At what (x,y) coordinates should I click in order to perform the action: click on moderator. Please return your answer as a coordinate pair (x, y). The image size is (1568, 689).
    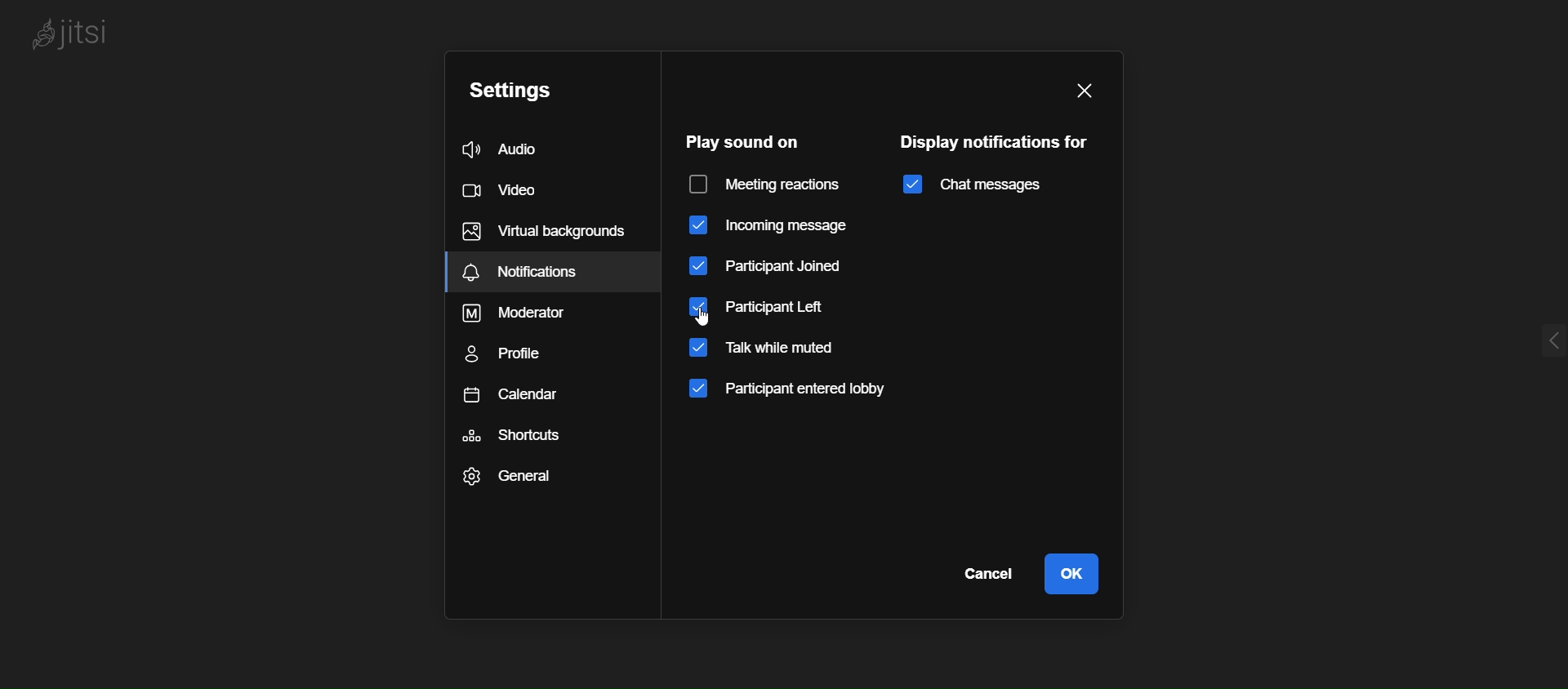
    Looking at the image, I should click on (539, 310).